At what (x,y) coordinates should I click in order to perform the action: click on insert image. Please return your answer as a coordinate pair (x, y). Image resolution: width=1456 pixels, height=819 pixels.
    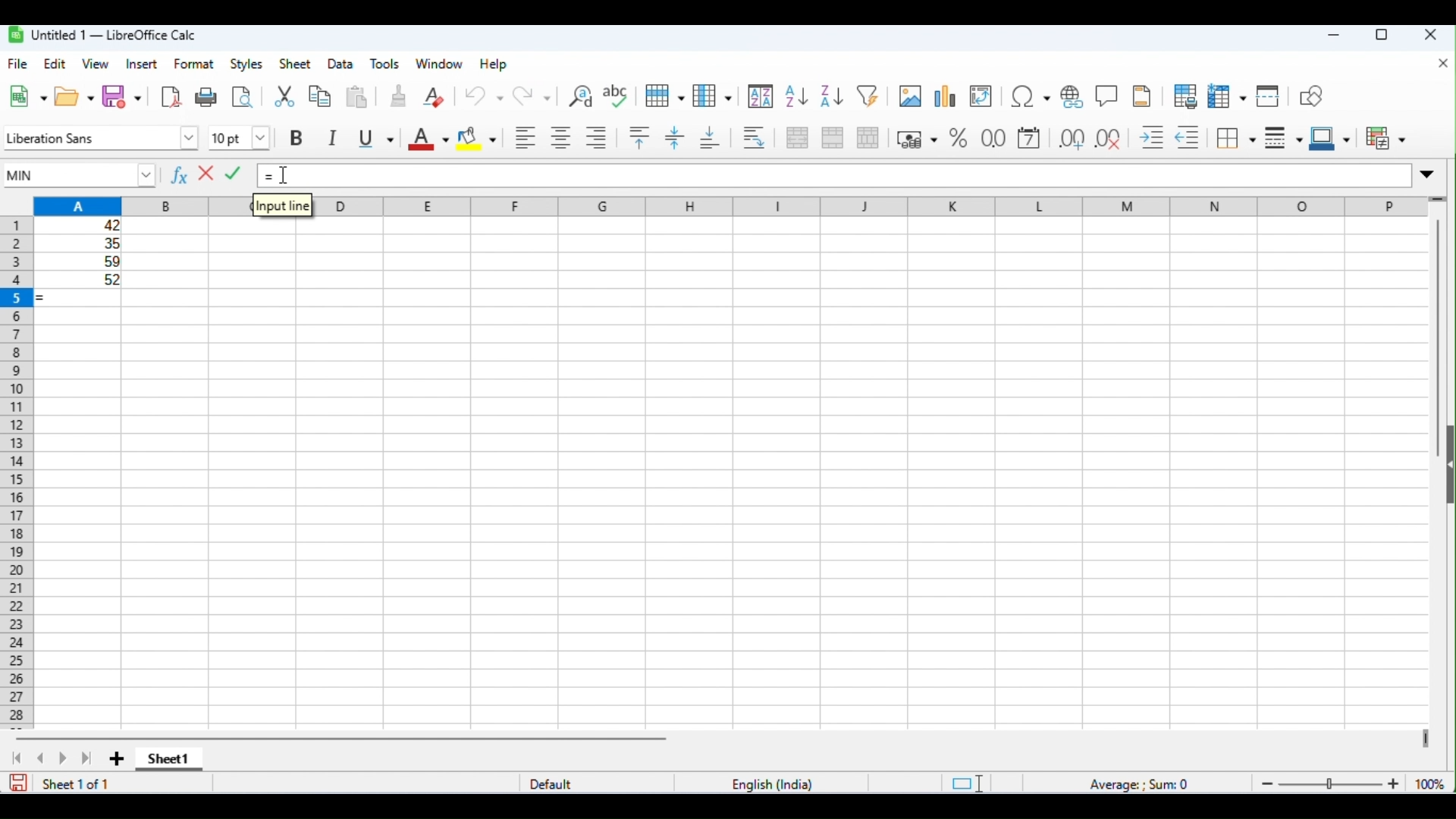
    Looking at the image, I should click on (909, 96).